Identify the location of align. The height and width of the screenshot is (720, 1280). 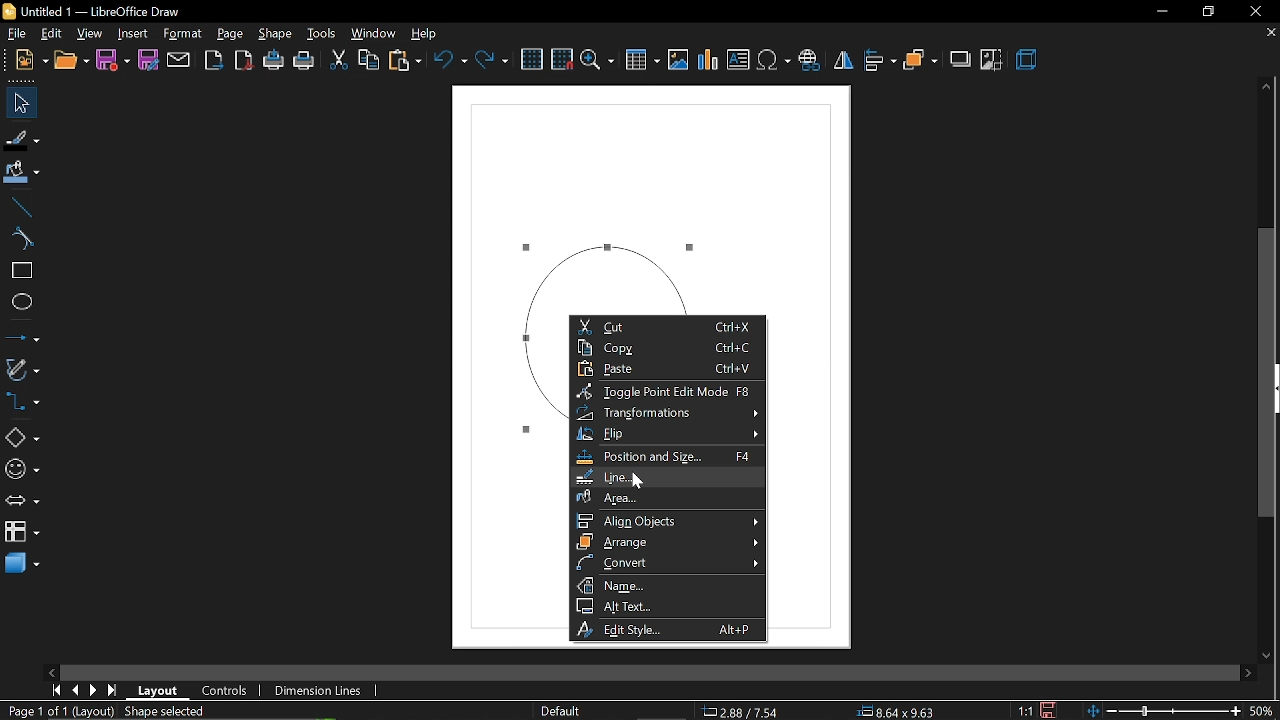
(881, 60).